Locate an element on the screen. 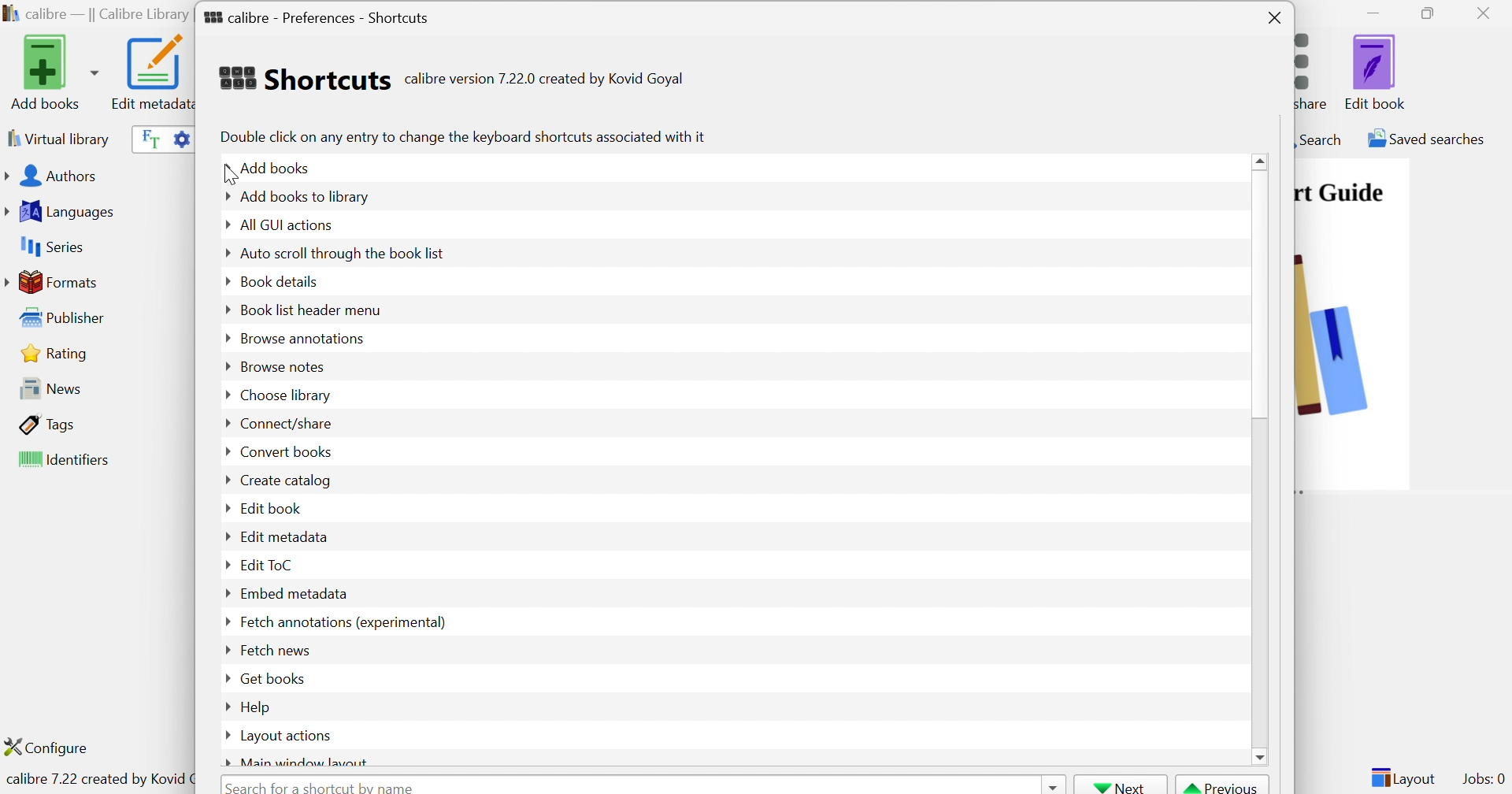 The width and height of the screenshot is (1512, 794). Drop Down is located at coordinates (224, 621).